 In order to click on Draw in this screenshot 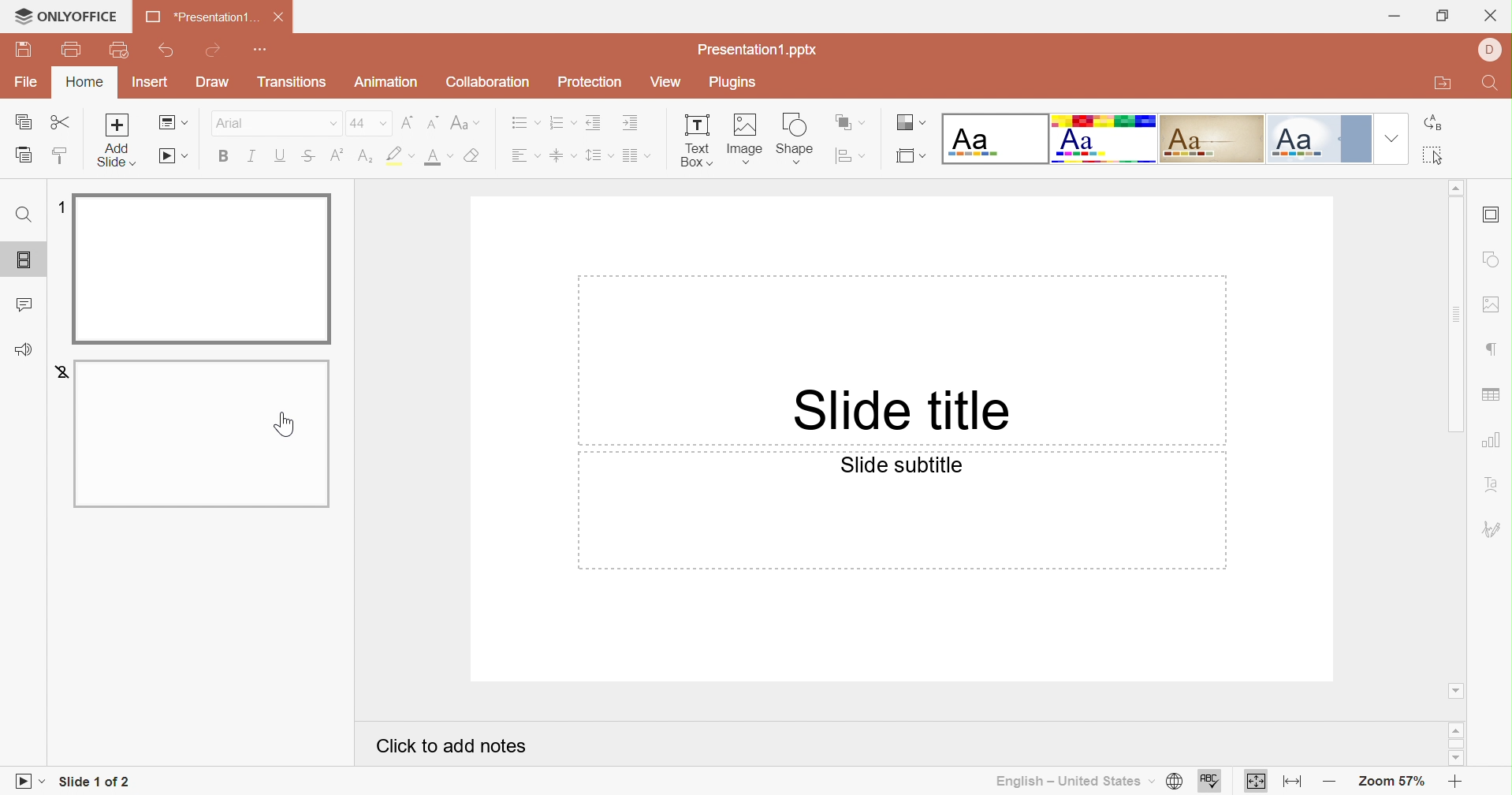, I will do `click(210, 82)`.